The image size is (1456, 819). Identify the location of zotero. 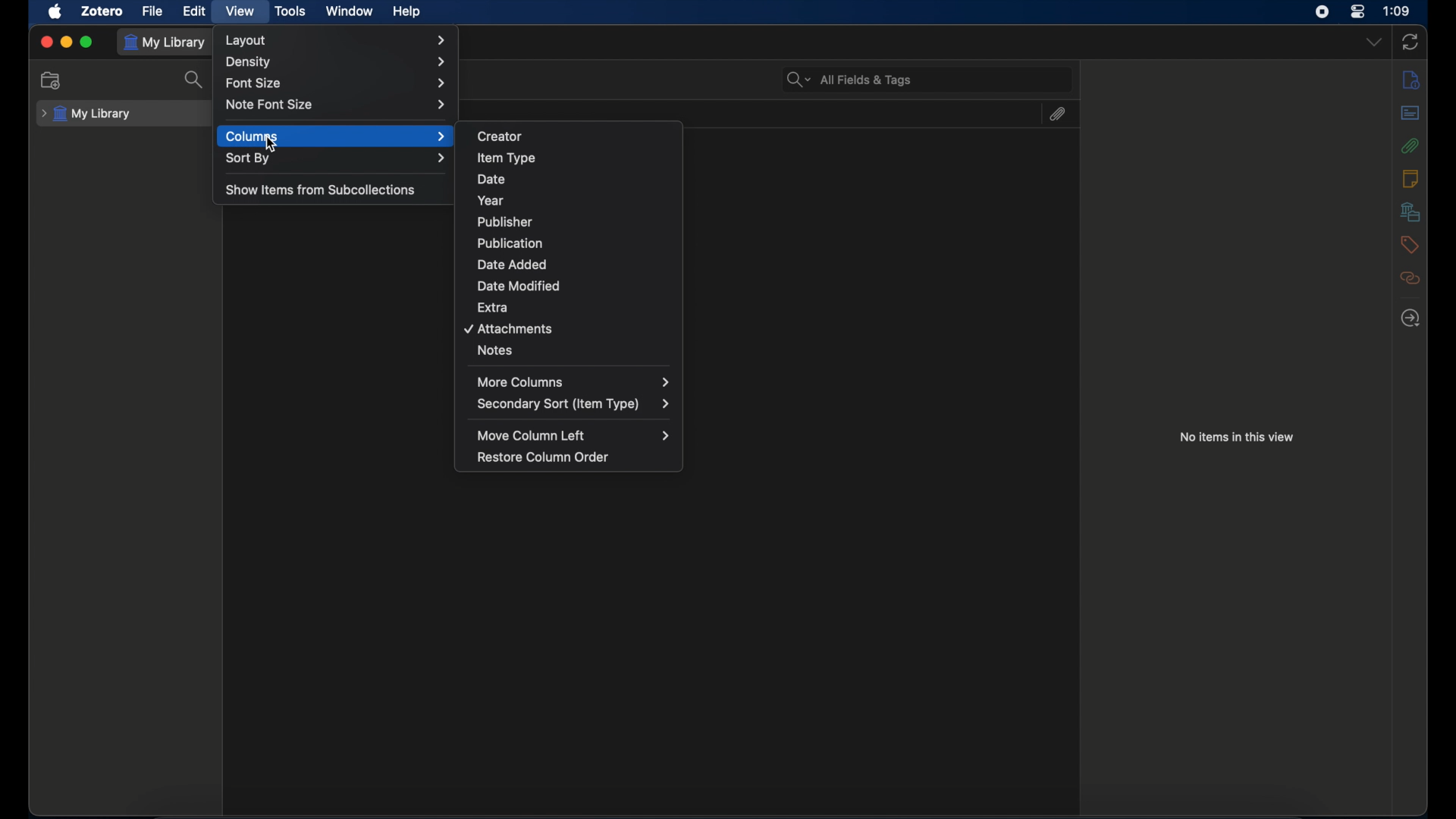
(102, 12).